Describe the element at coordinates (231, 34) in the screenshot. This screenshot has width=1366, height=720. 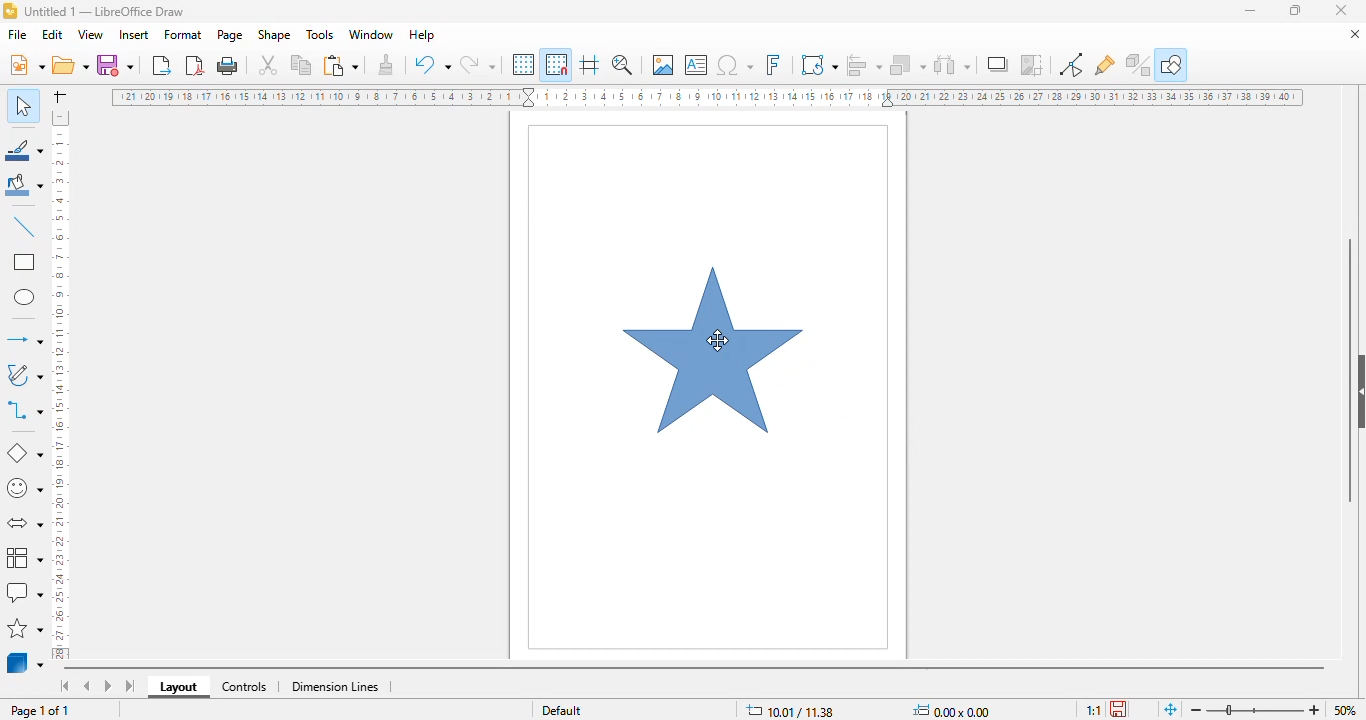
I see `page` at that location.